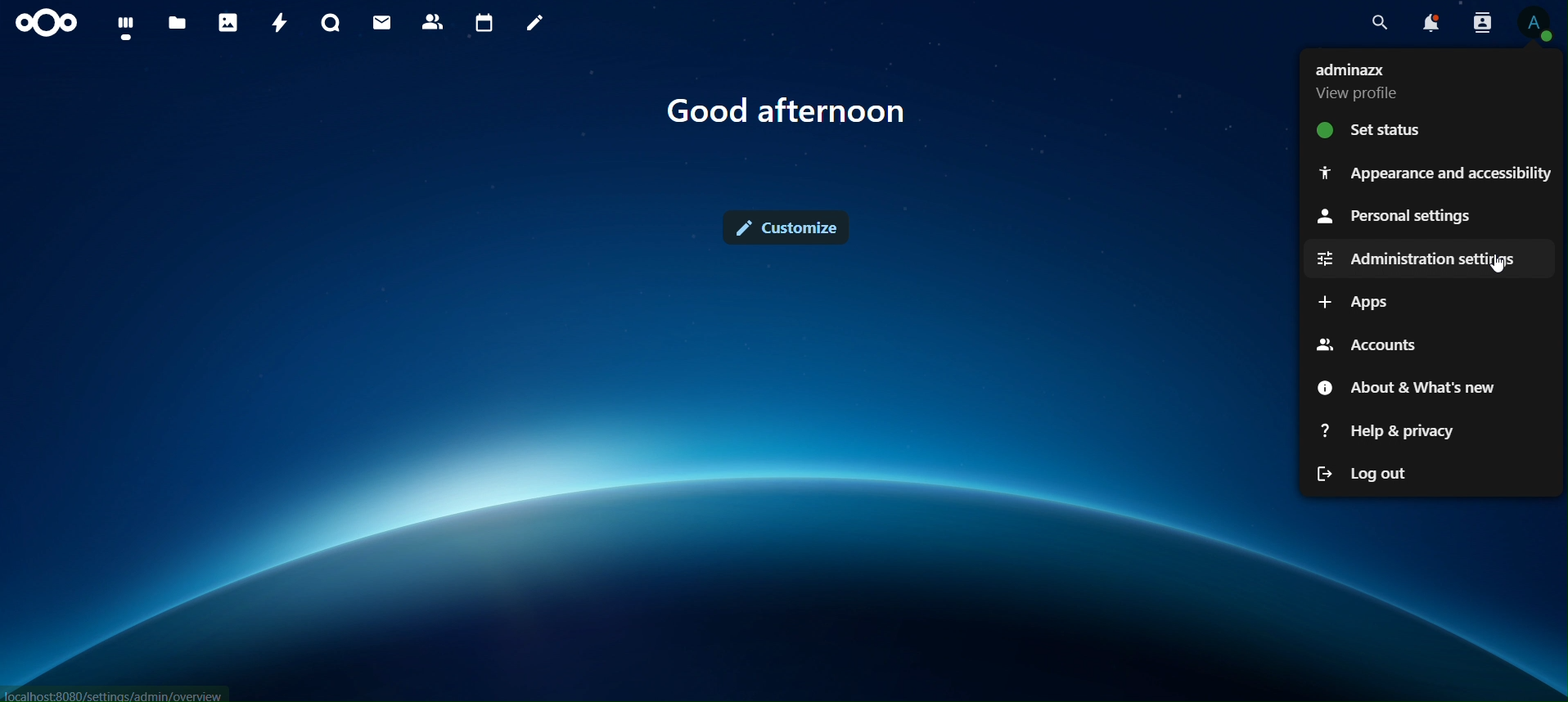 The width and height of the screenshot is (1568, 702). Describe the element at coordinates (282, 23) in the screenshot. I see `activity` at that location.